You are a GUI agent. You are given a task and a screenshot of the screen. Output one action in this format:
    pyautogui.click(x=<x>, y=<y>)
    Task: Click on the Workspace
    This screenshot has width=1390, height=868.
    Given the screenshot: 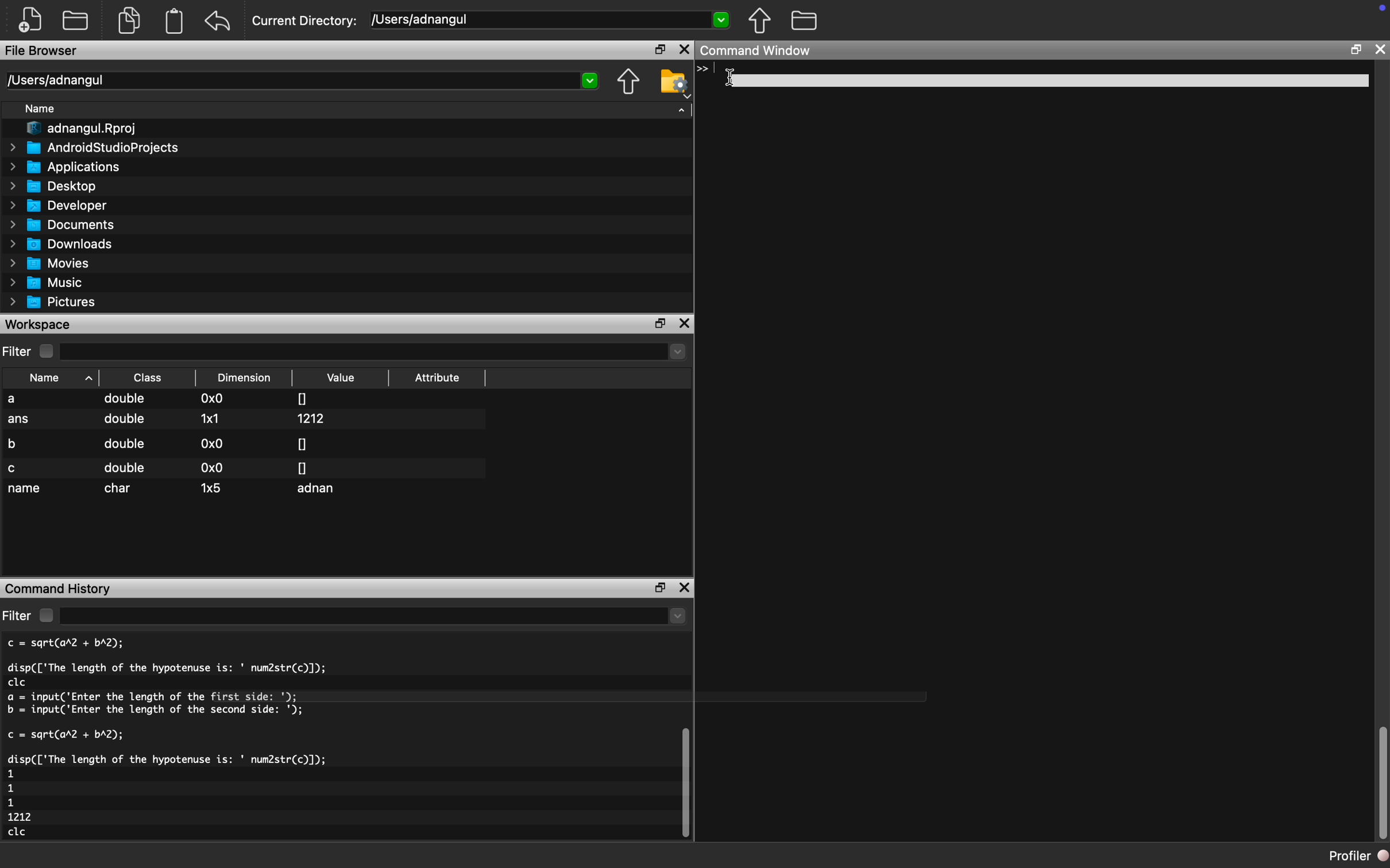 What is the action you would take?
    pyautogui.click(x=40, y=324)
    